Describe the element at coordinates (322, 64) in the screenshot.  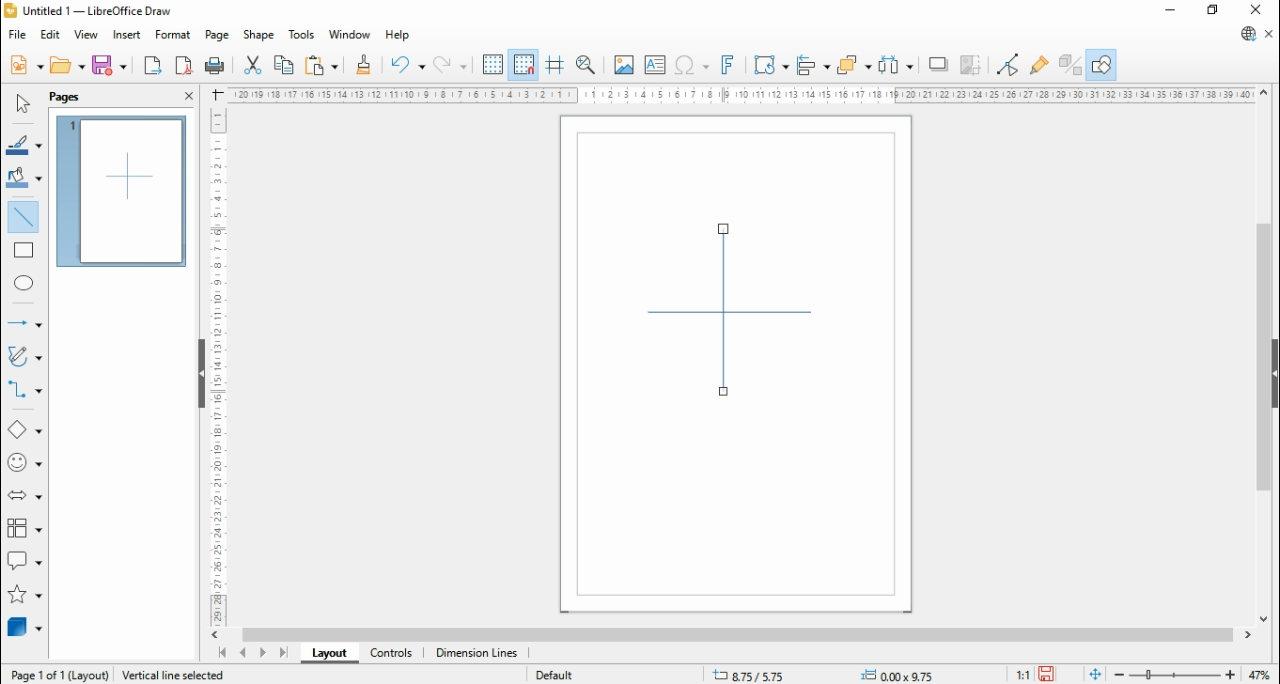
I see `paste` at that location.